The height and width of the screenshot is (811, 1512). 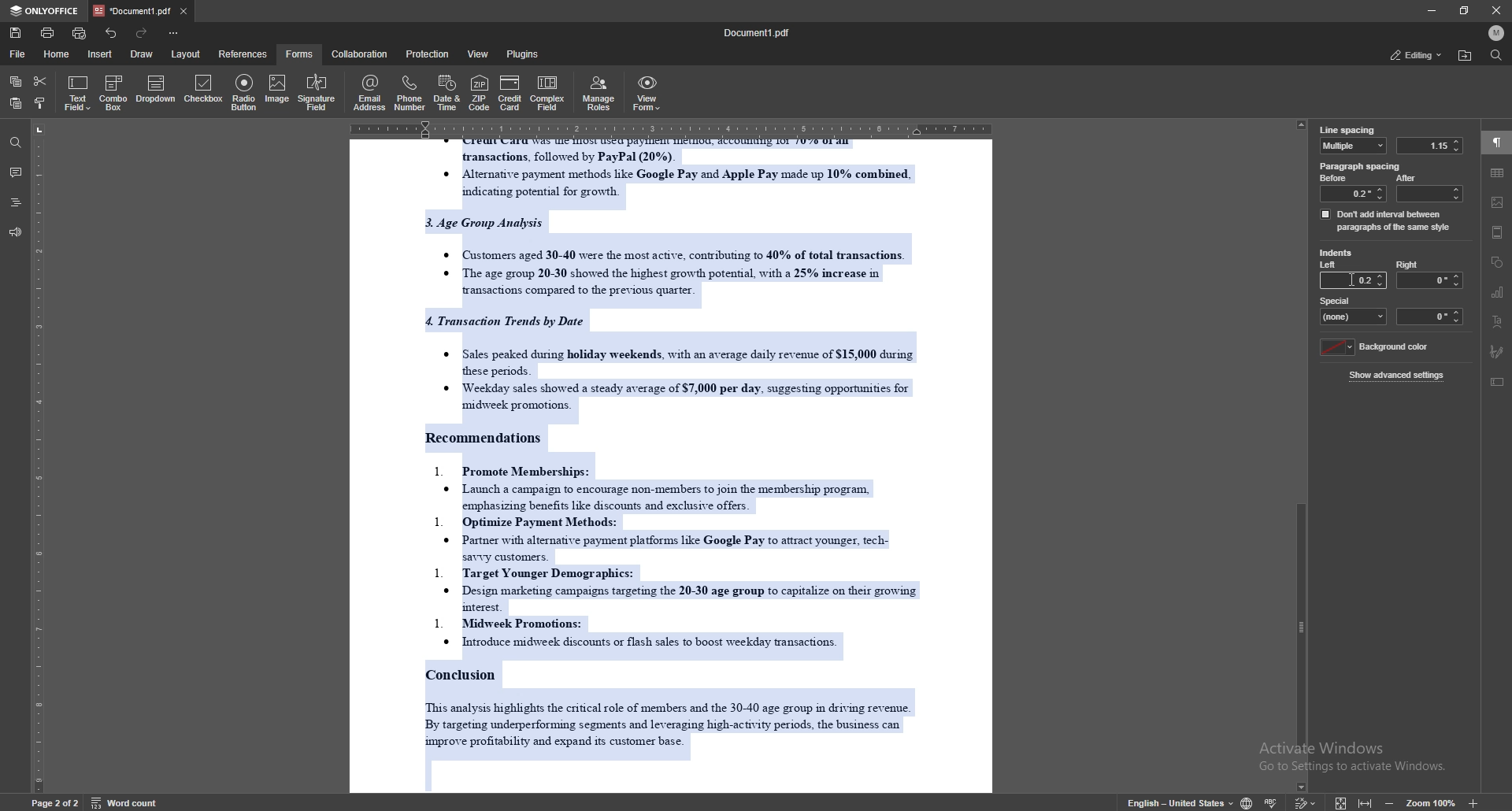 I want to click on find, so click(x=16, y=143).